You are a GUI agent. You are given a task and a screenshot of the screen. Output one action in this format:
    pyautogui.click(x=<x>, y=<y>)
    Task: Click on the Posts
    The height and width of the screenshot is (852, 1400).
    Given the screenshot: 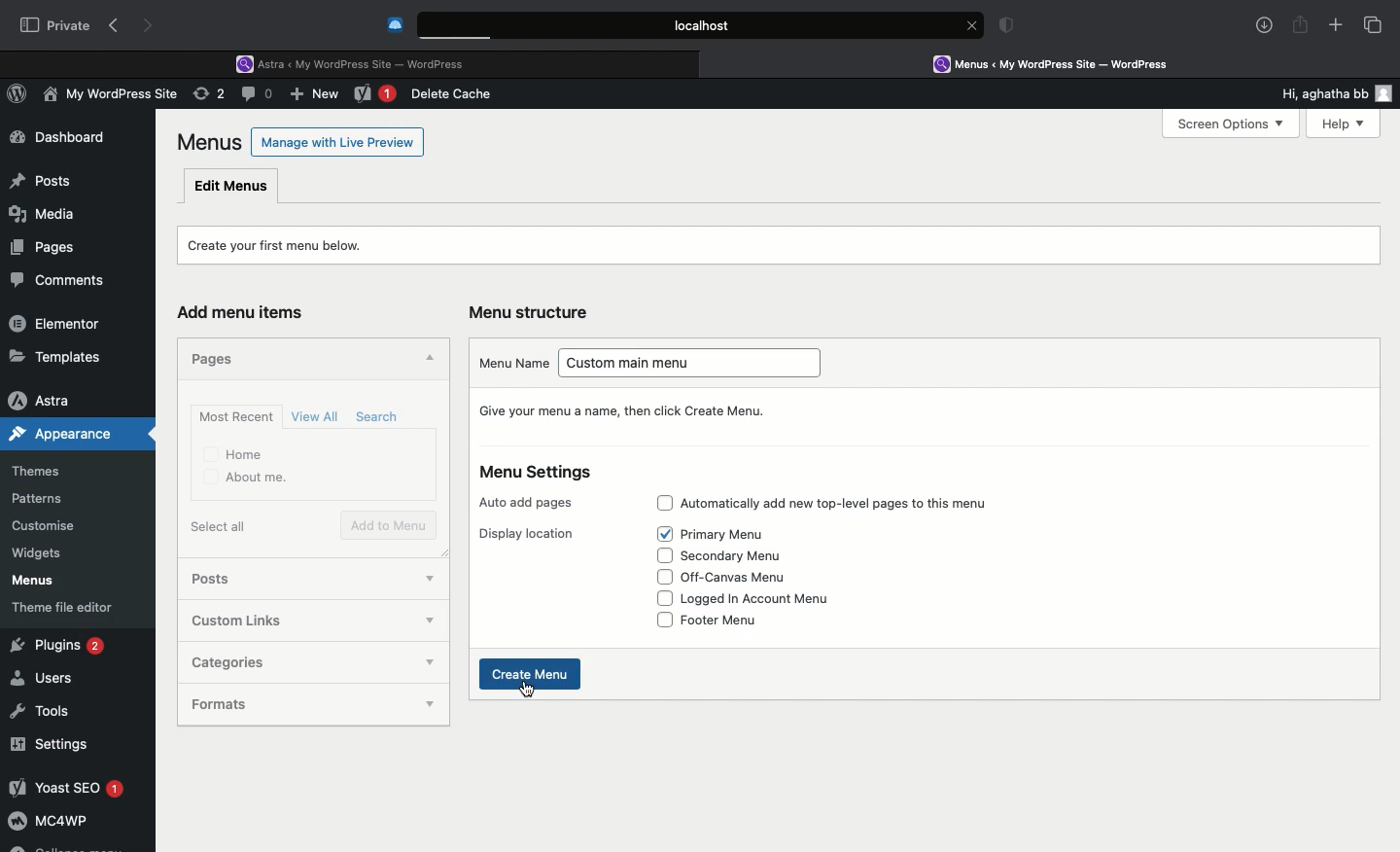 What is the action you would take?
    pyautogui.click(x=229, y=581)
    